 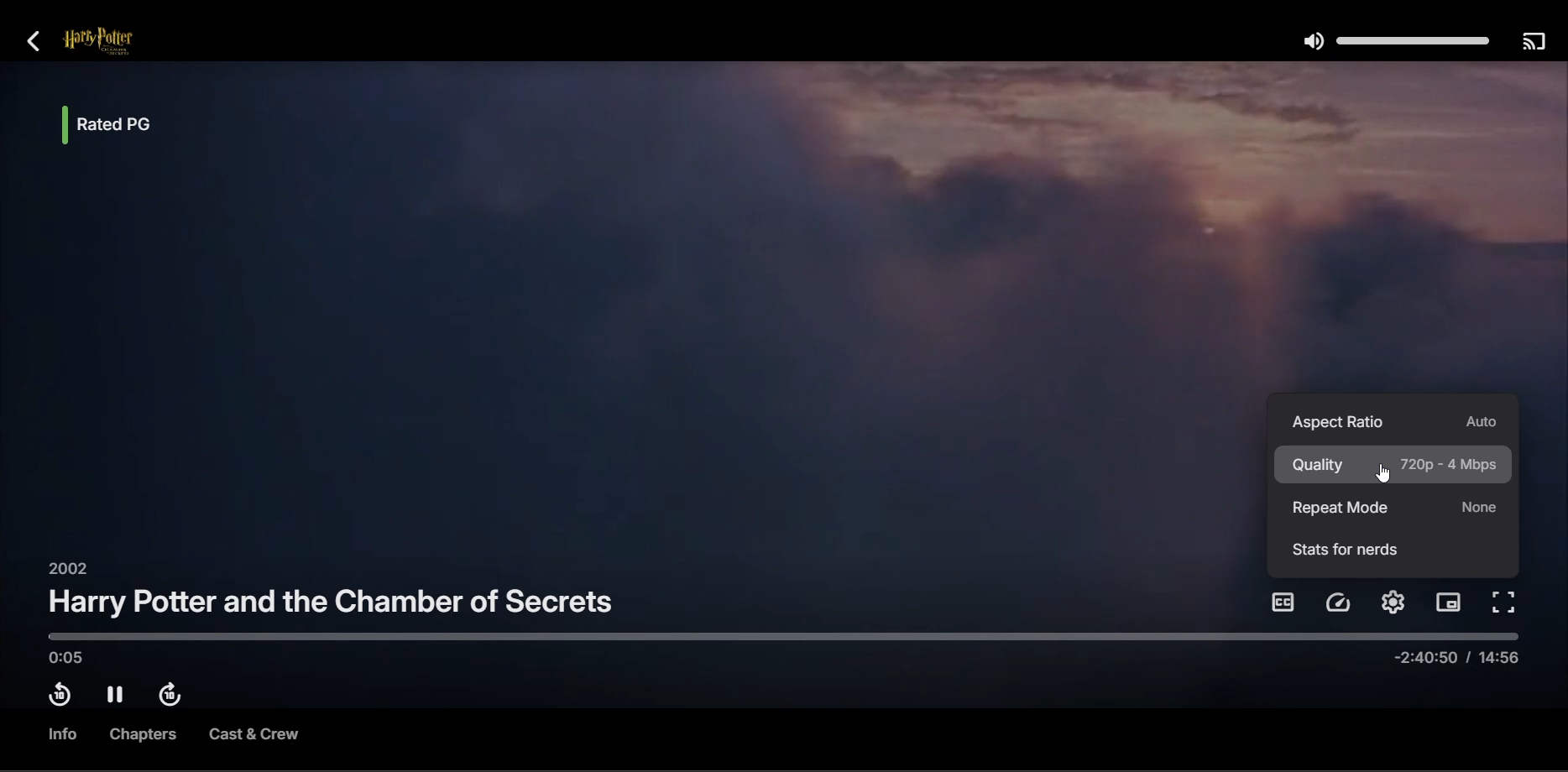 I want to click on Fullscreen, so click(x=1505, y=603).